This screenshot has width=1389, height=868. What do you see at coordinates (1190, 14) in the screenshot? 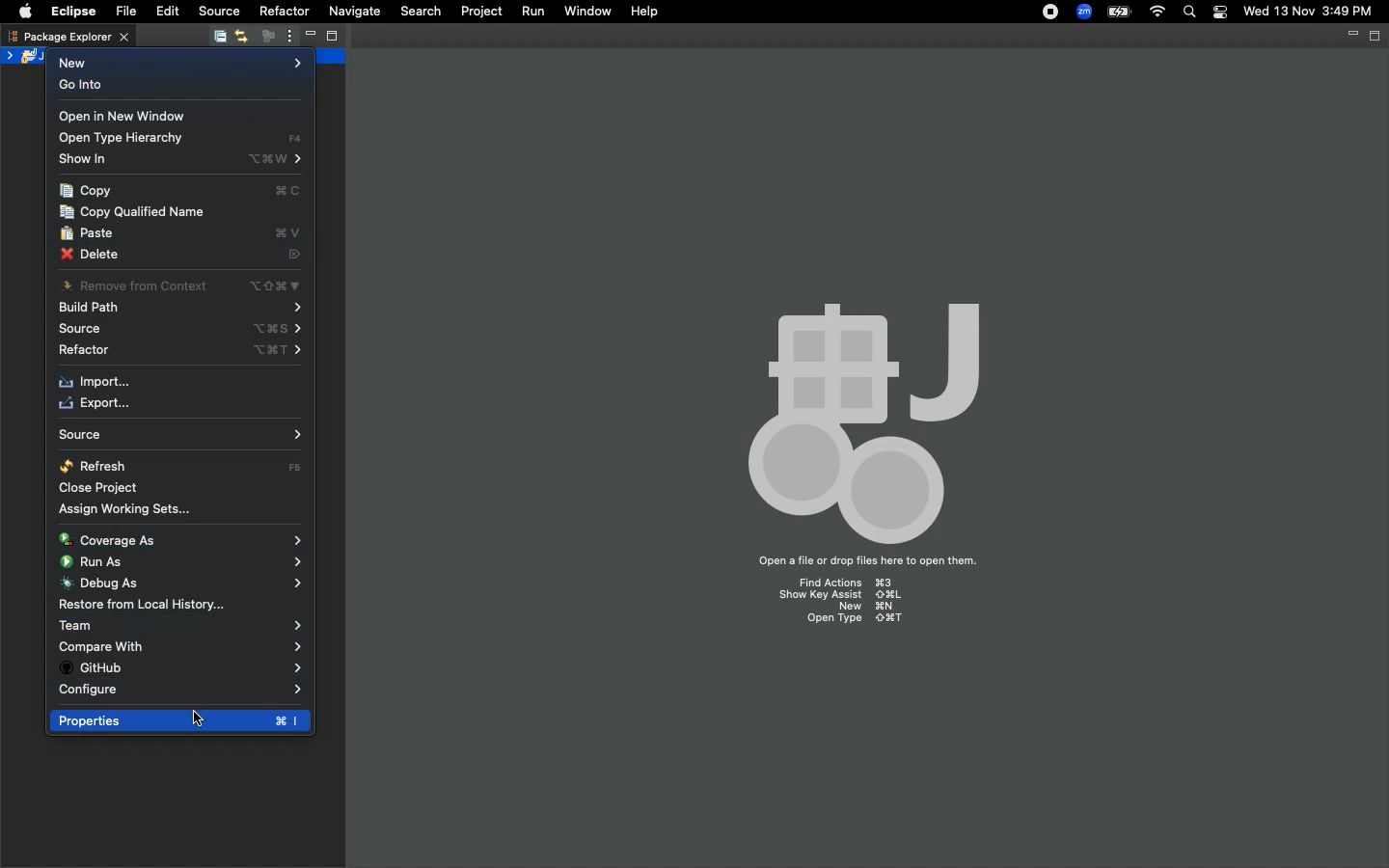
I see `Search` at bounding box center [1190, 14].